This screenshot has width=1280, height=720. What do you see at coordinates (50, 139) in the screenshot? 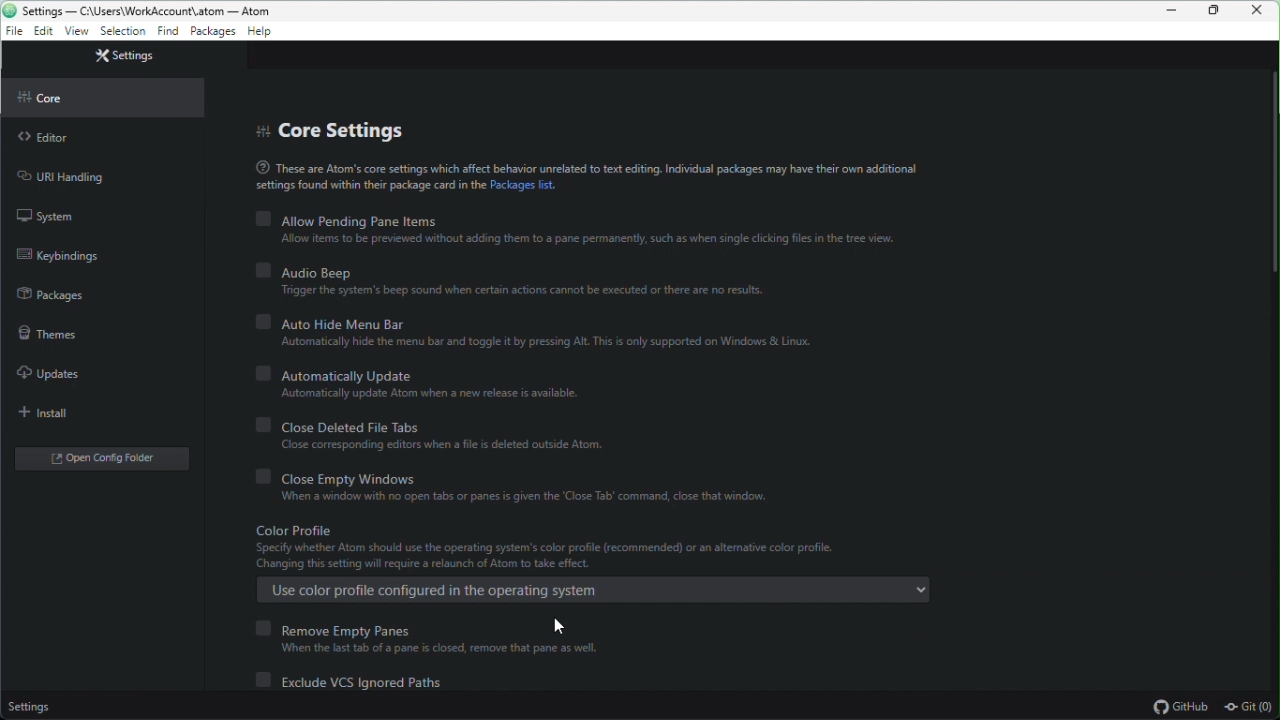
I see `Editor` at bounding box center [50, 139].